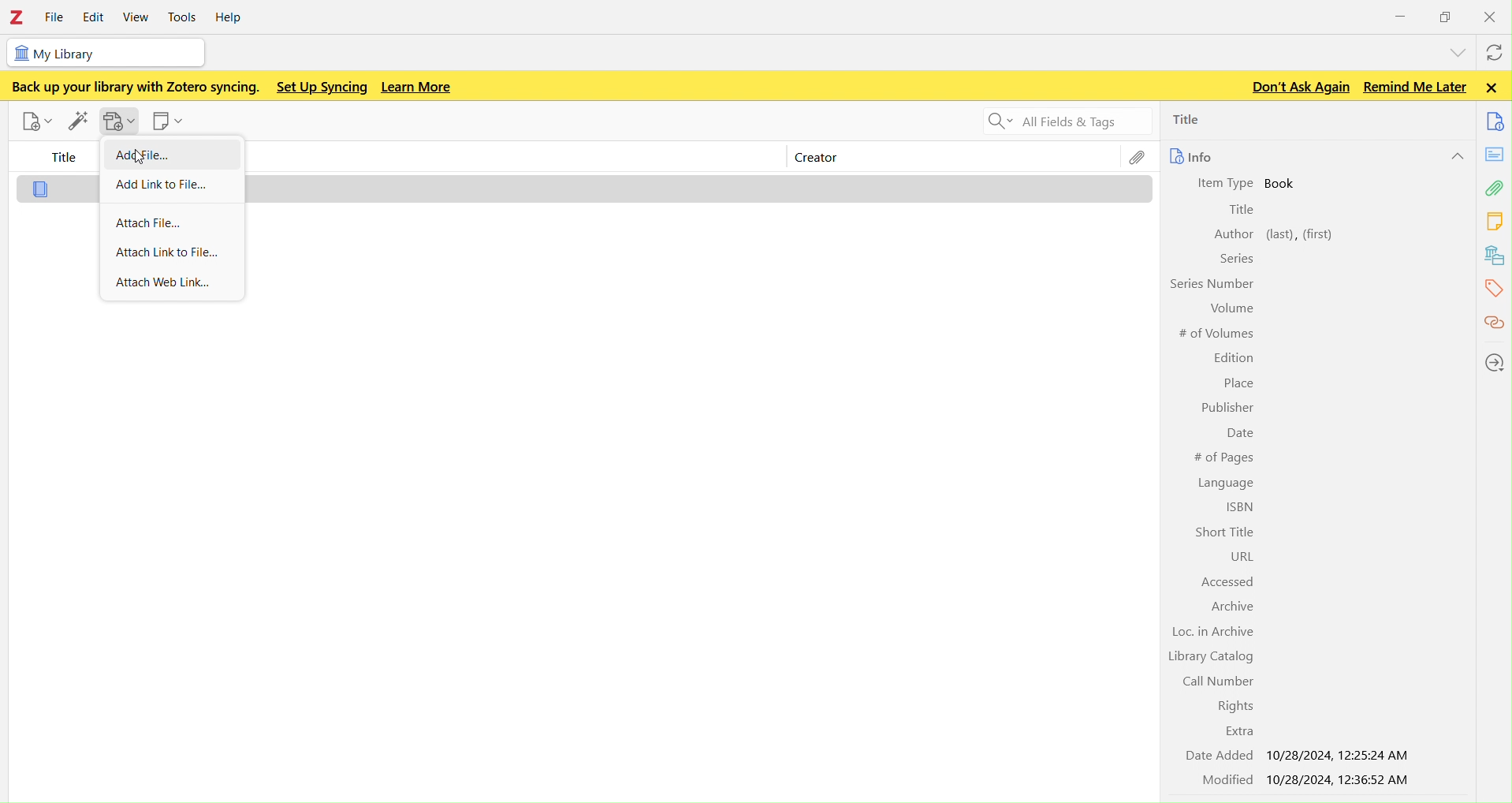  What do you see at coordinates (1211, 285) in the screenshot?
I see `Series Number` at bounding box center [1211, 285].